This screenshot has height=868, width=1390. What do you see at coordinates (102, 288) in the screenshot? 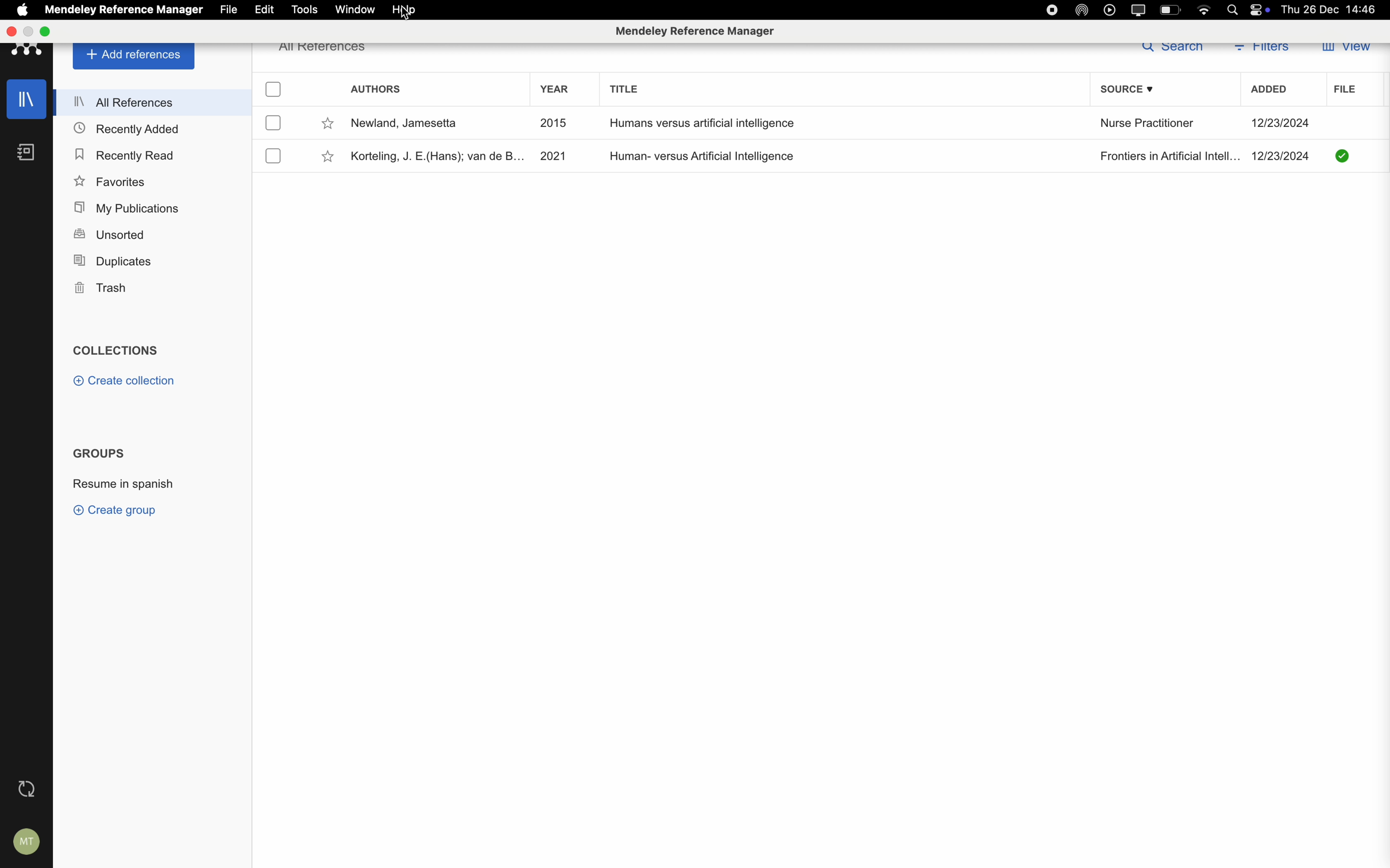
I see `Trash` at bounding box center [102, 288].